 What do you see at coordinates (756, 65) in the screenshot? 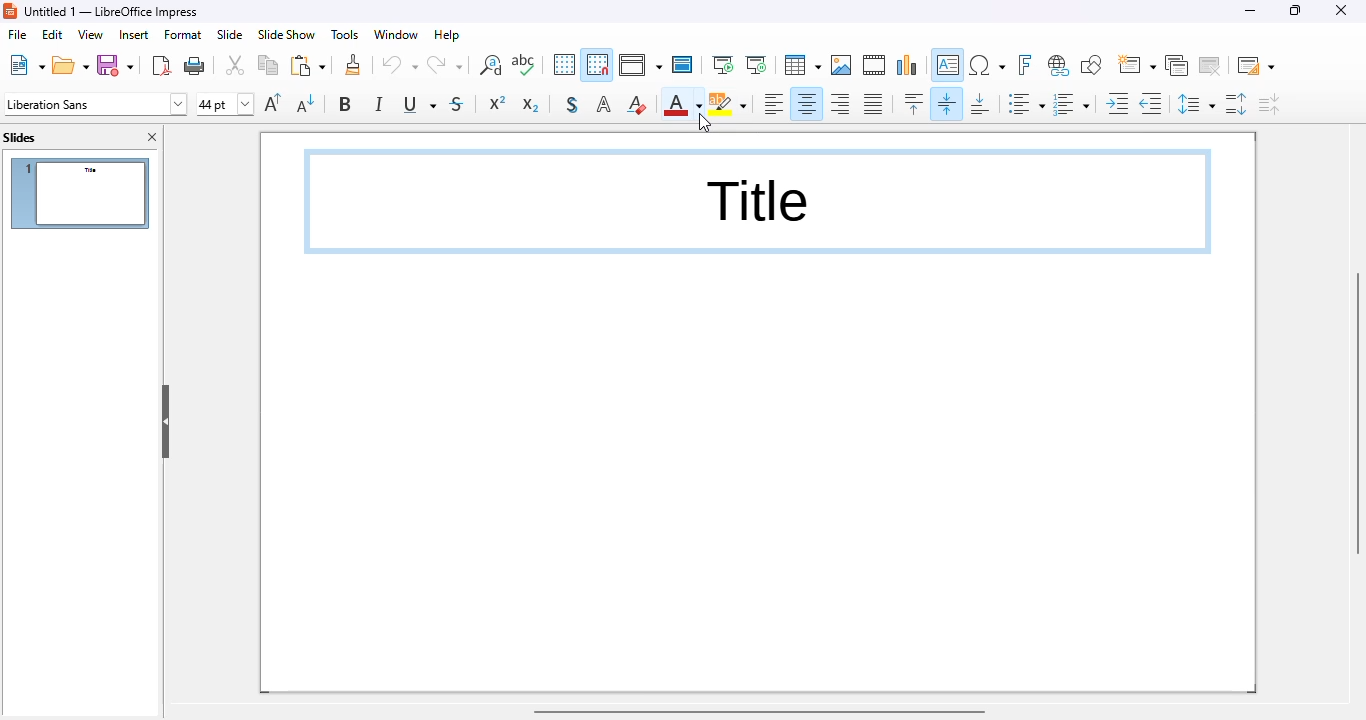
I see `start from current slide` at bounding box center [756, 65].